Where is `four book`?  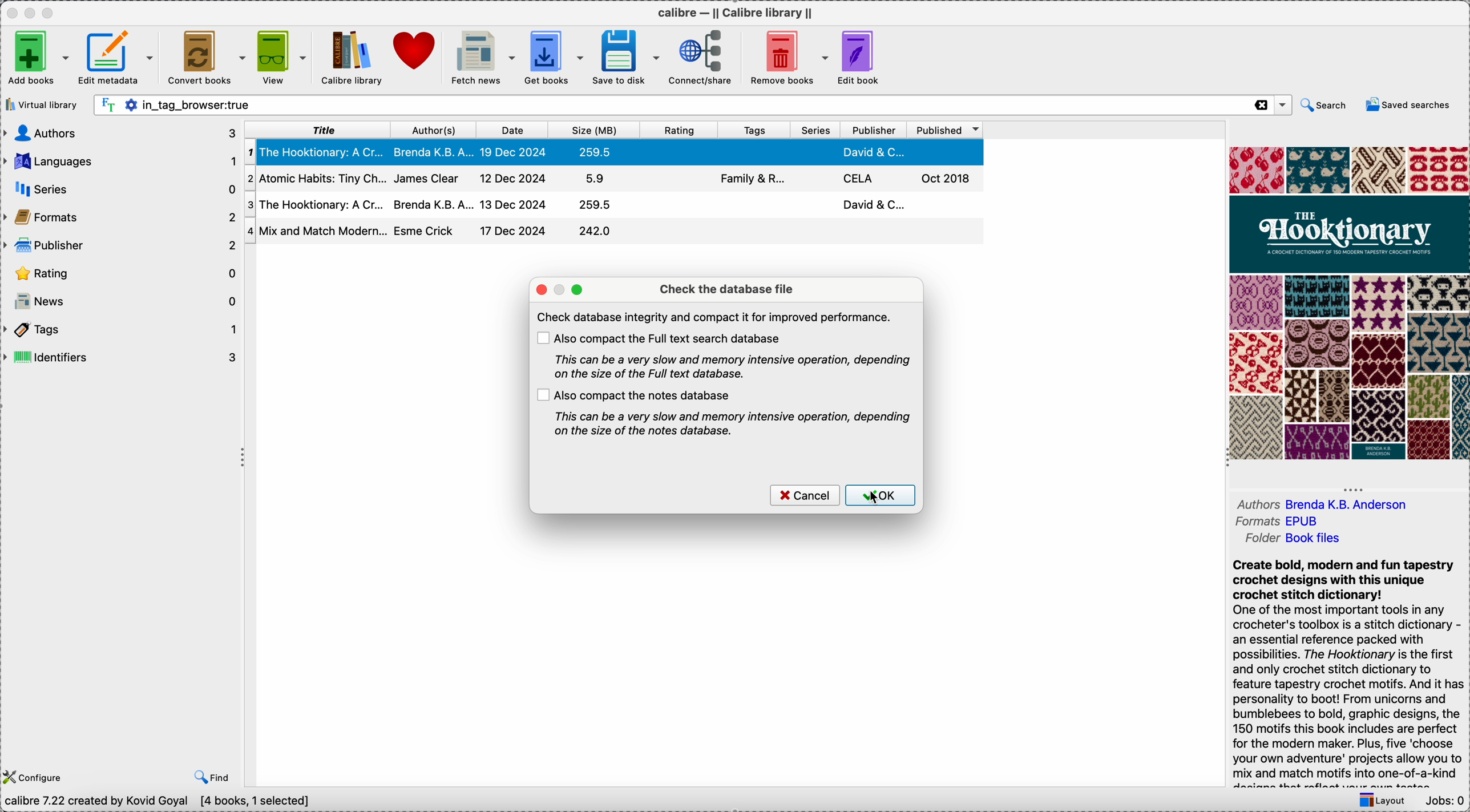 four book is located at coordinates (615, 232).